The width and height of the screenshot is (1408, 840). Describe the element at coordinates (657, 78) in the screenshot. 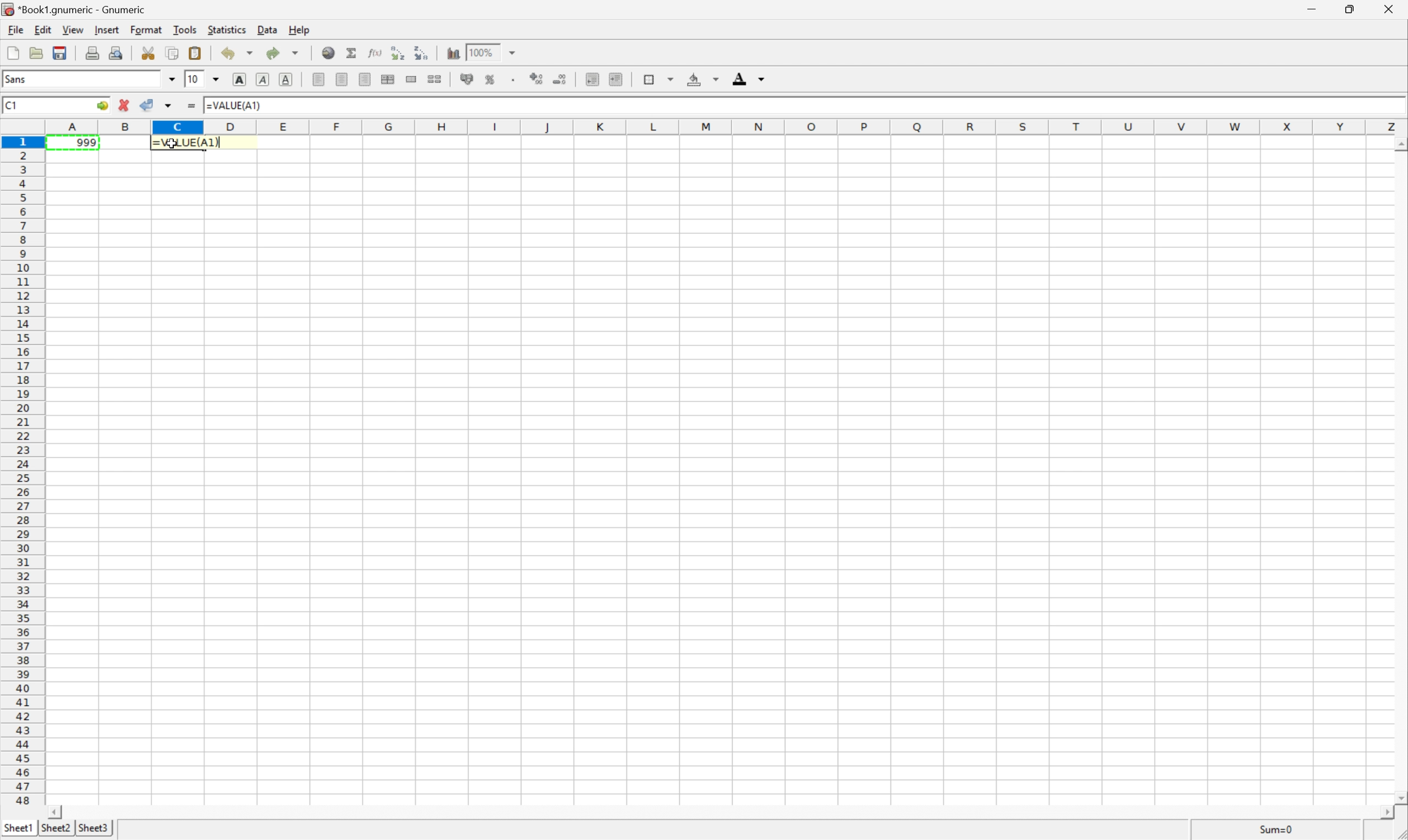

I see `borders` at that location.